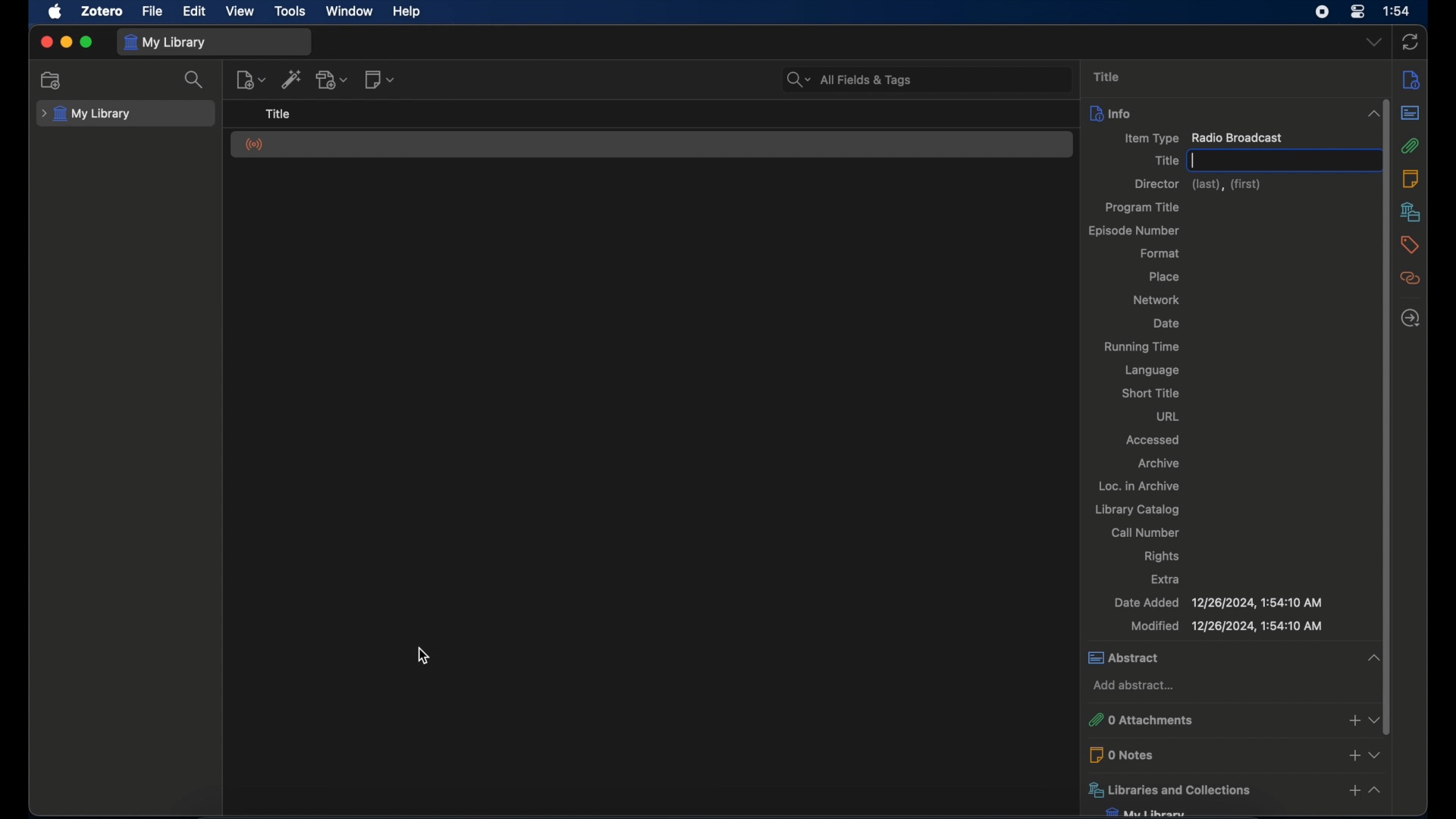  Describe the element at coordinates (1233, 113) in the screenshot. I see `info` at that location.